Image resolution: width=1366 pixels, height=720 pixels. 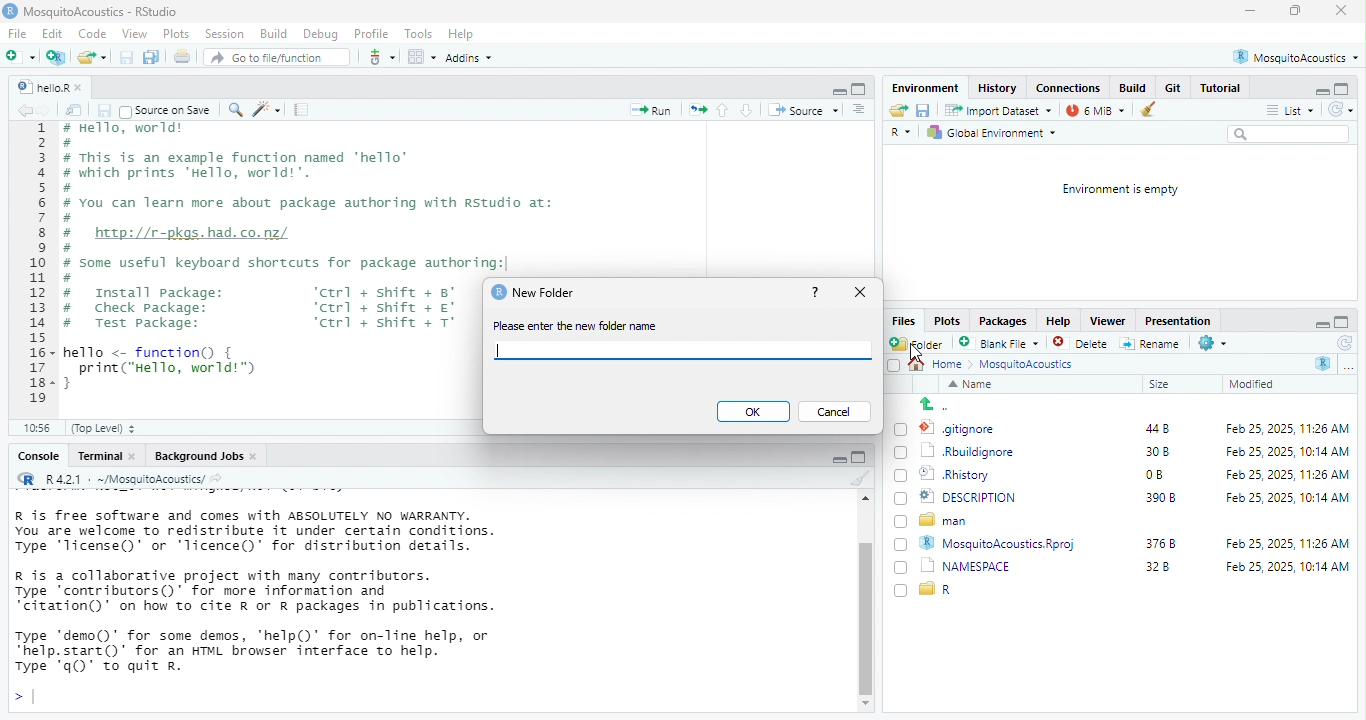 What do you see at coordinates (1296, 11) in the screenshot?
I see `maximize` at bounding box center [1296, 11].